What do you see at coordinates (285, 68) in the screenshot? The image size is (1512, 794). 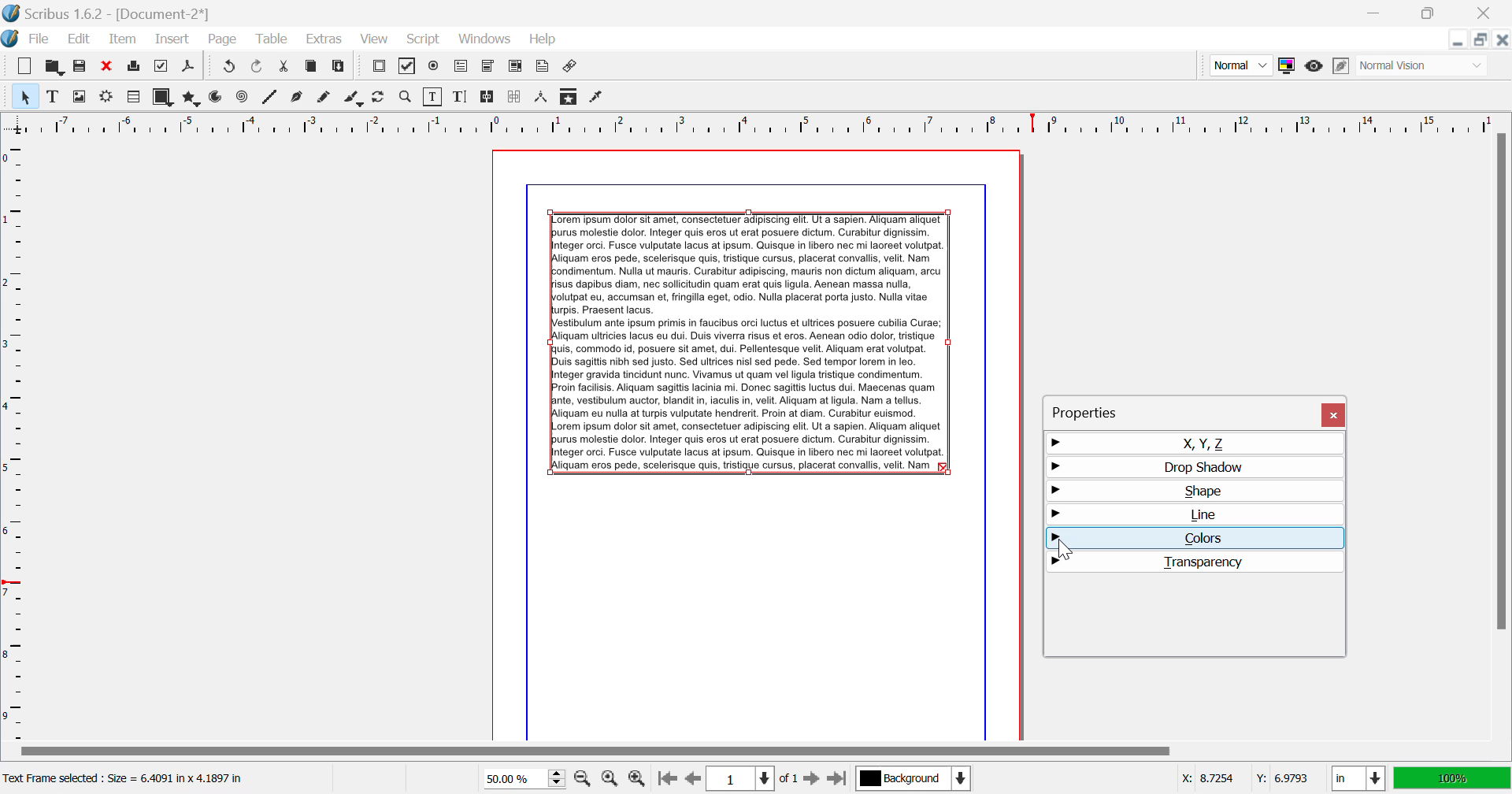 I see `Cut` at bounding box center [285, 68].